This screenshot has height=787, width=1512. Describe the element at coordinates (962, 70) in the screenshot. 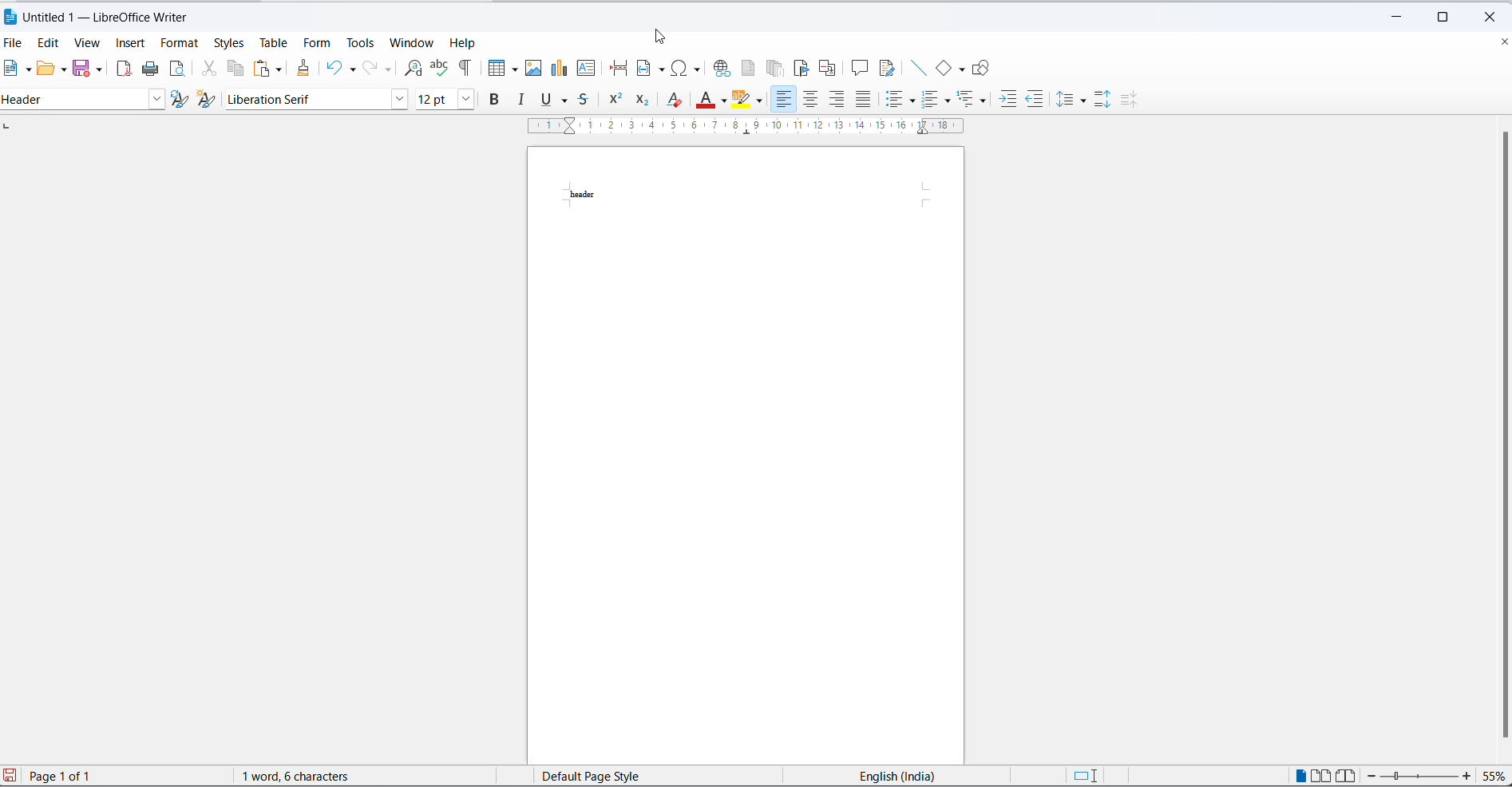

I see `basic shapes` at that location.